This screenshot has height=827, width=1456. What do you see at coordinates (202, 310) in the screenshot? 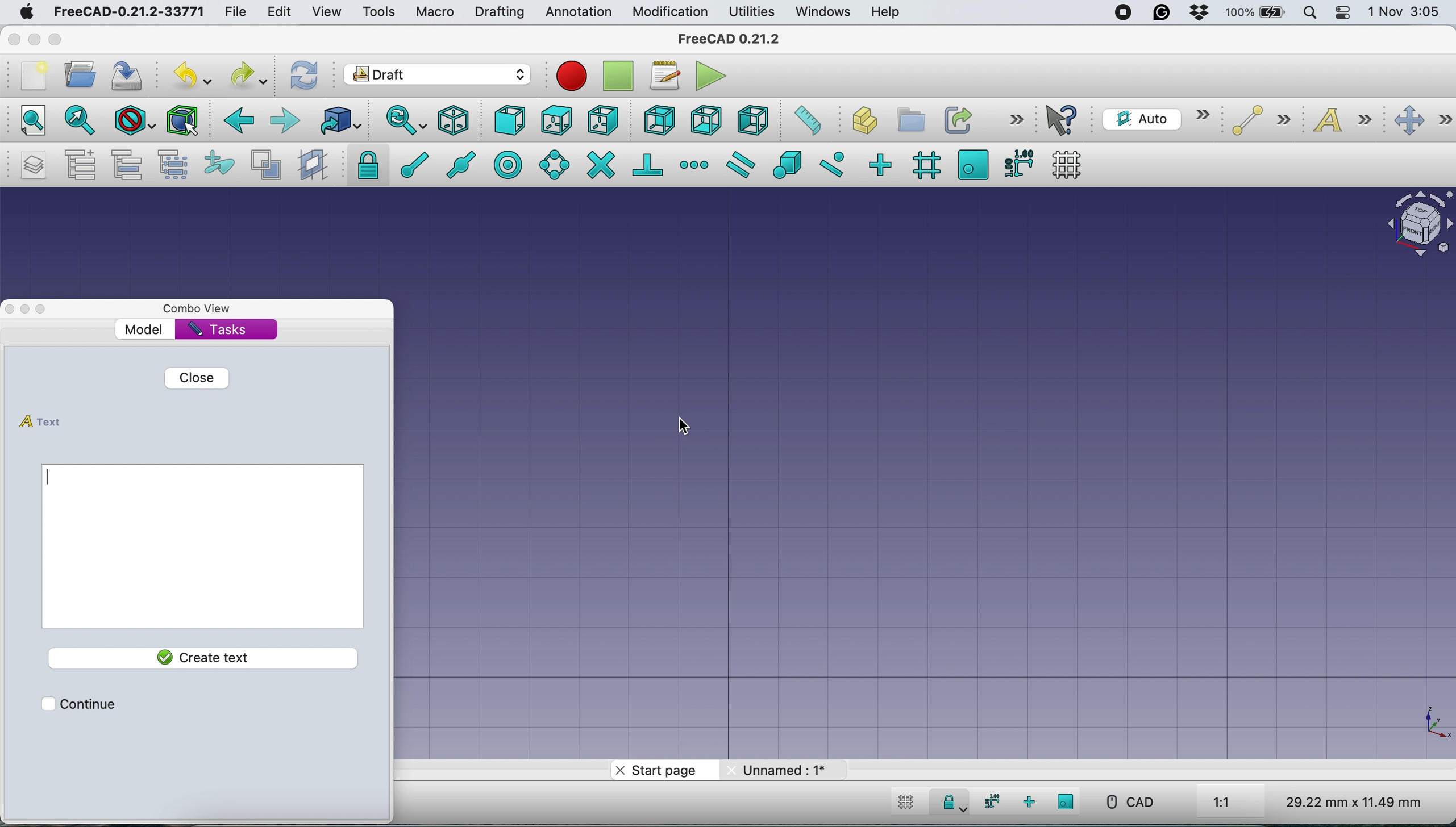
I see `combo view` at bounding box center [202, 310].